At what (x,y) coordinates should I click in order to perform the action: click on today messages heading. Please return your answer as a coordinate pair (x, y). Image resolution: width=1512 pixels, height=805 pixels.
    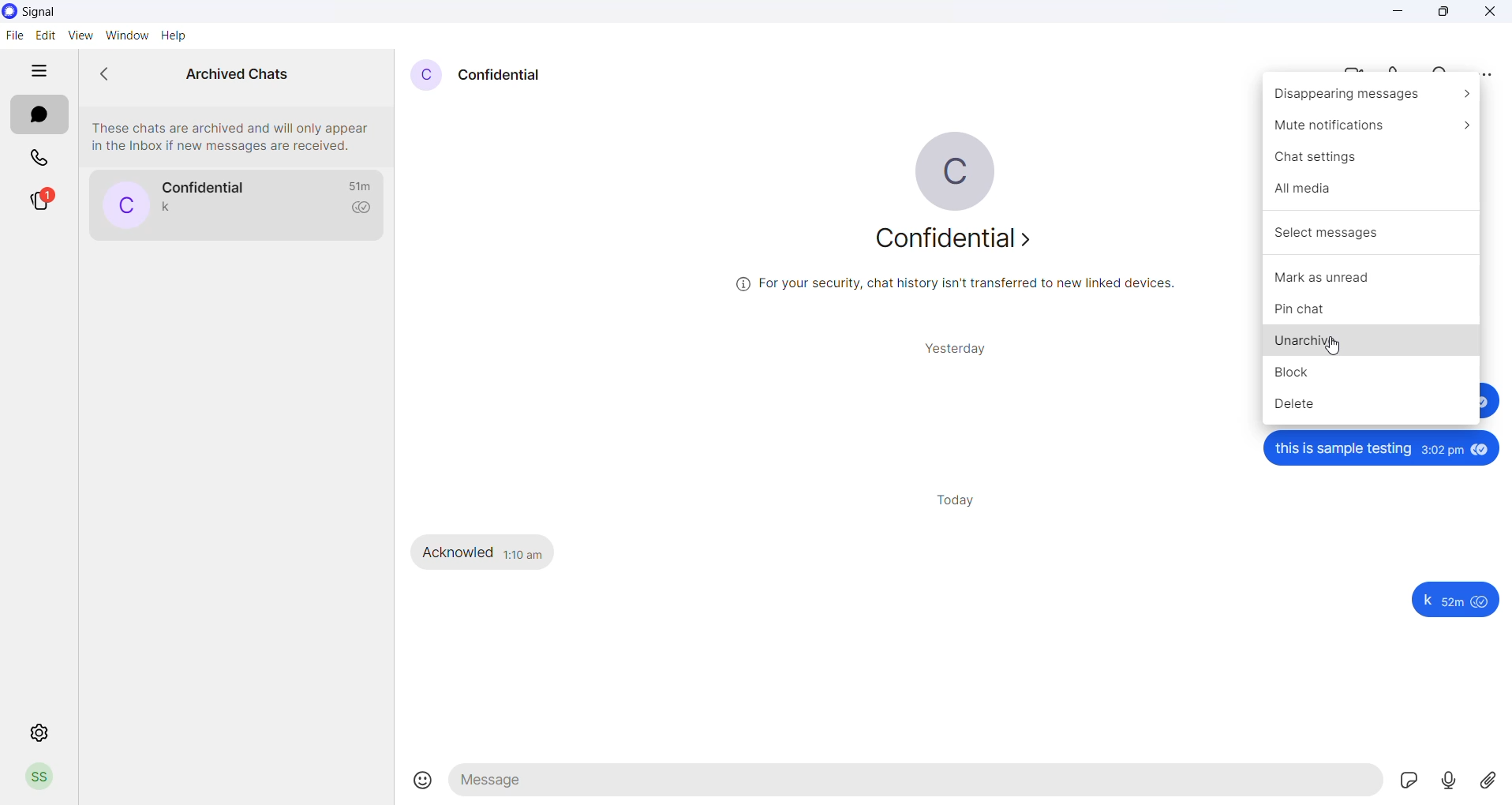
    Looking at the image, I should click on (958, 498).